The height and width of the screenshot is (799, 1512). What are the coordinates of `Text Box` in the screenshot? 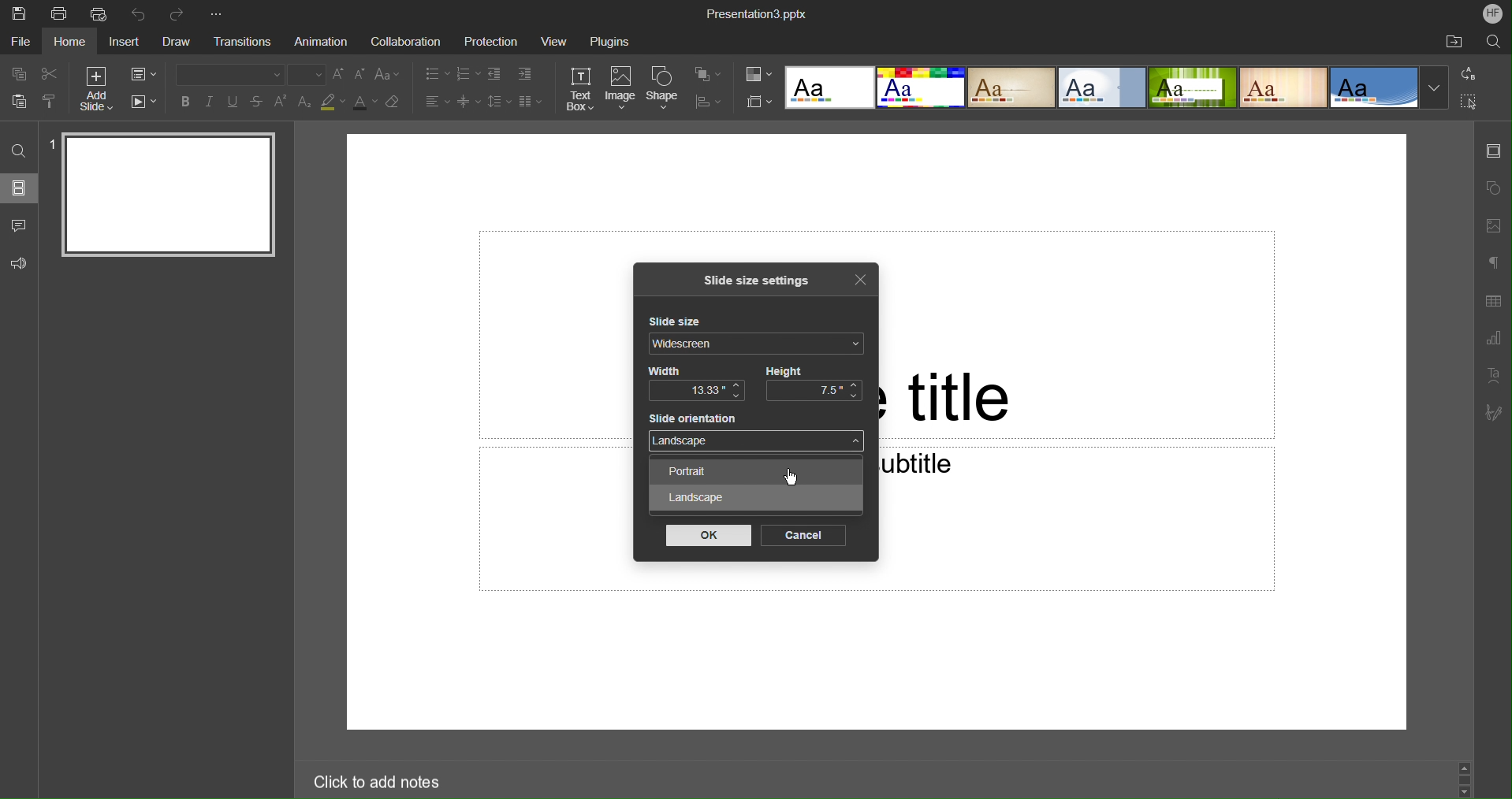 It's located at (580, 89).